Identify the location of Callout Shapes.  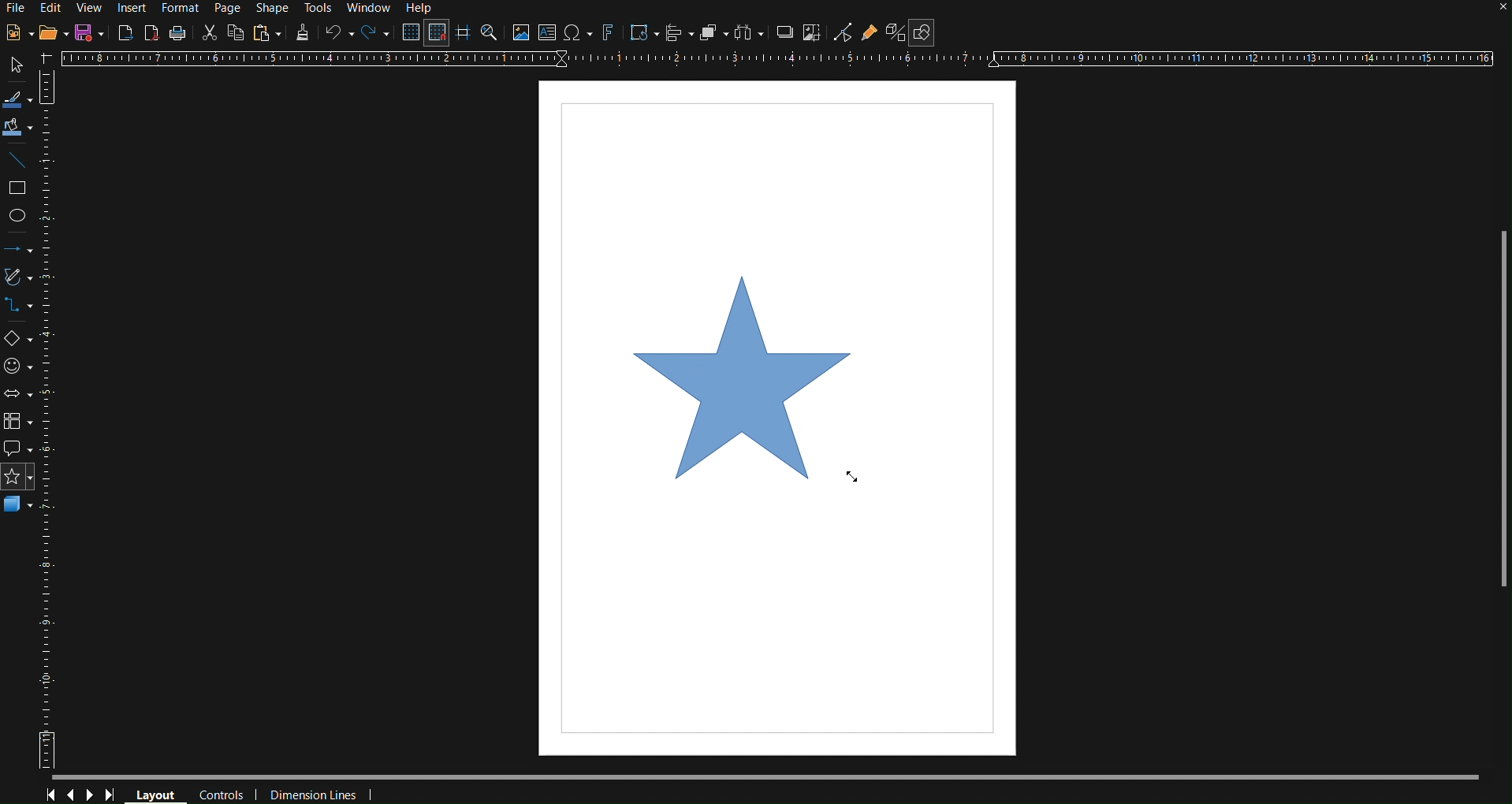
(19, 450).